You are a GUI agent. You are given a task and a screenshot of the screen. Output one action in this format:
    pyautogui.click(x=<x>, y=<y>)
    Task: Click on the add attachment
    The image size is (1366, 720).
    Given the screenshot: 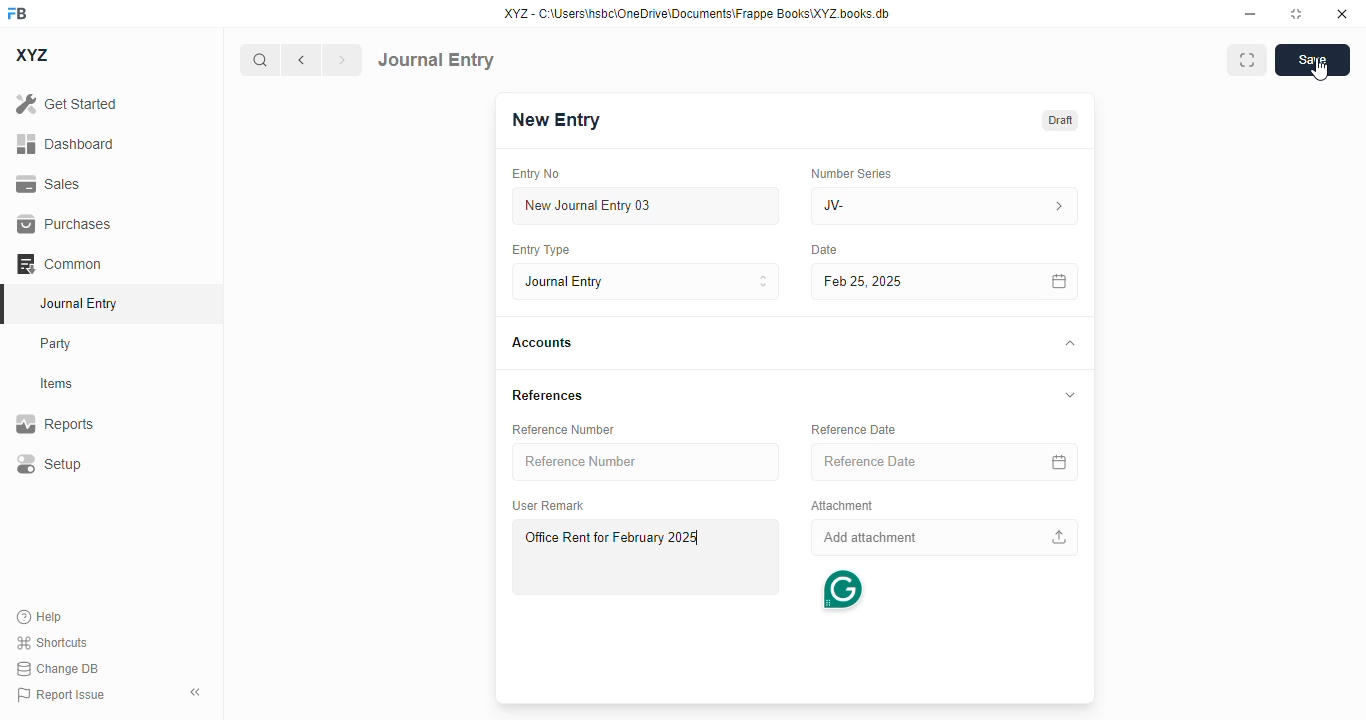 What is the action you would take?
    pyautogui.click(x=946, y=538)
    